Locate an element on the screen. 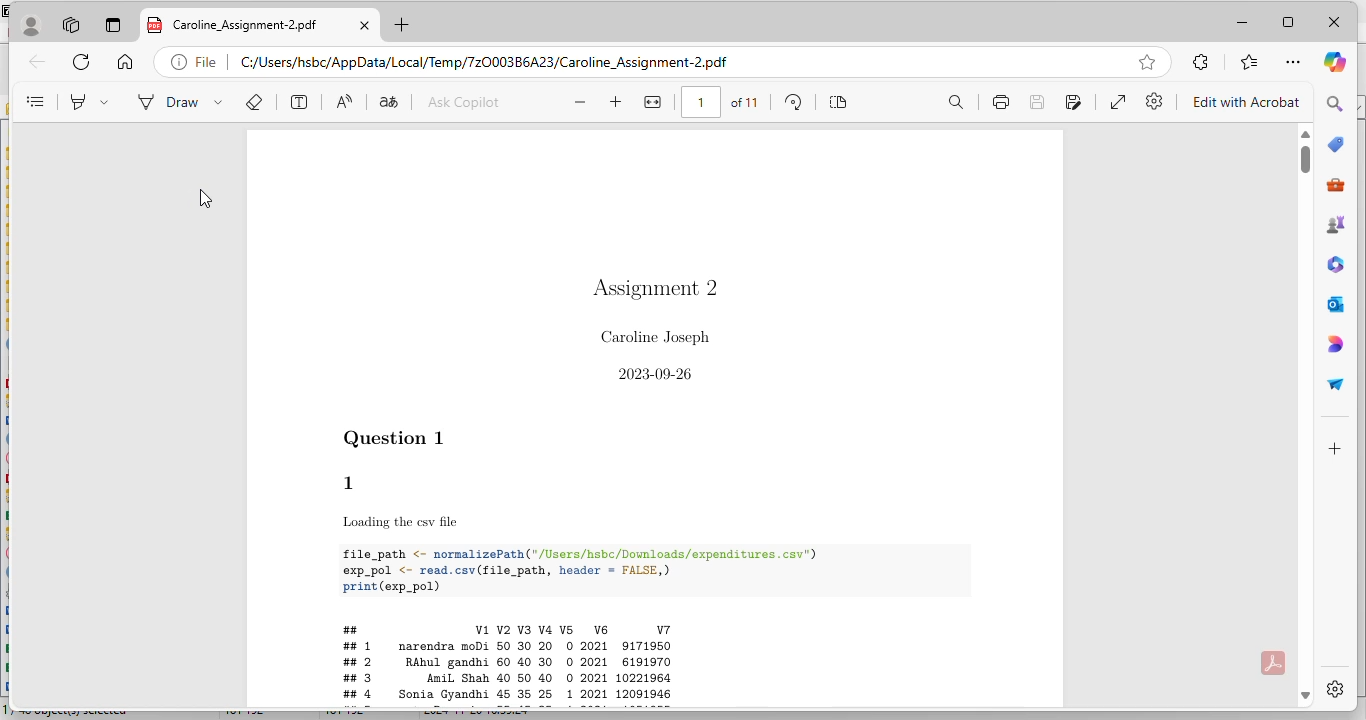 The image size is (1366, 720). refresh is located at coordinates (81, 61).